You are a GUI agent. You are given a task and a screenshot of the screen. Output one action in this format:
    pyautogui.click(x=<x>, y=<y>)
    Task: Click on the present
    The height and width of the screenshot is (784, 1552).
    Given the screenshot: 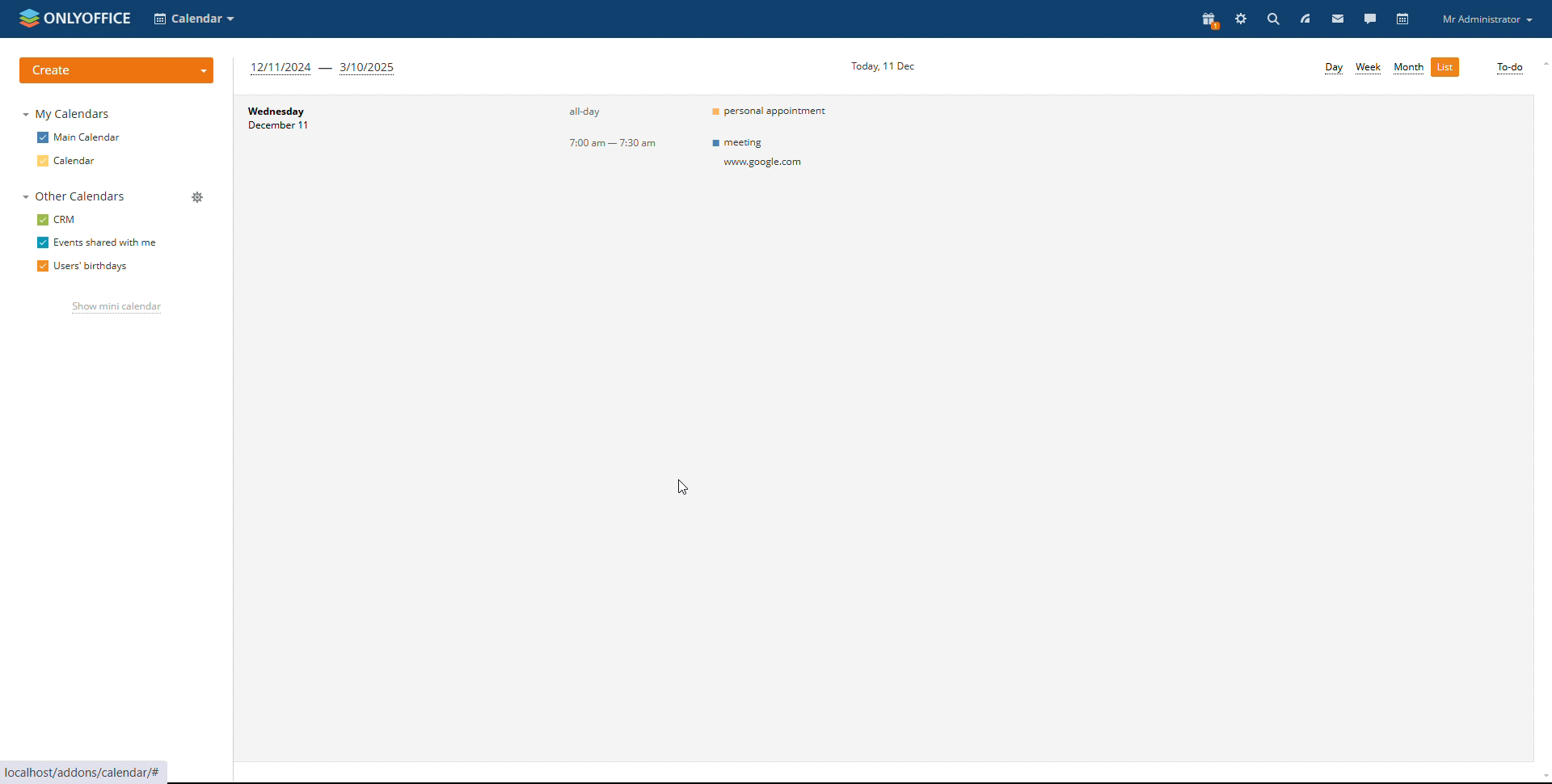 What is the action you would take?
    pyautogui.click(x=1207, y=18)
    